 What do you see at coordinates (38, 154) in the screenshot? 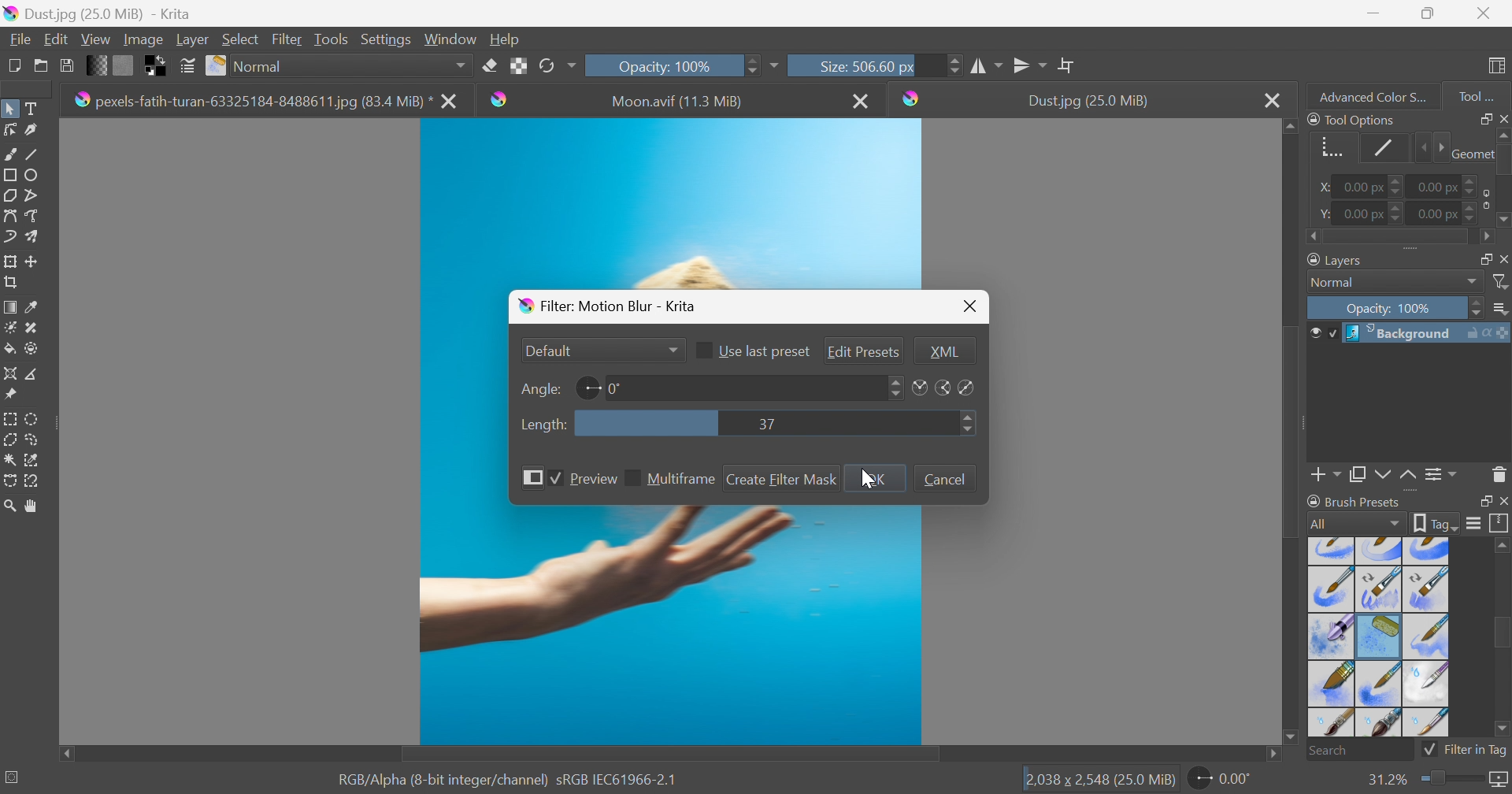
I see `Line tool` at bounding box center [38, 154].